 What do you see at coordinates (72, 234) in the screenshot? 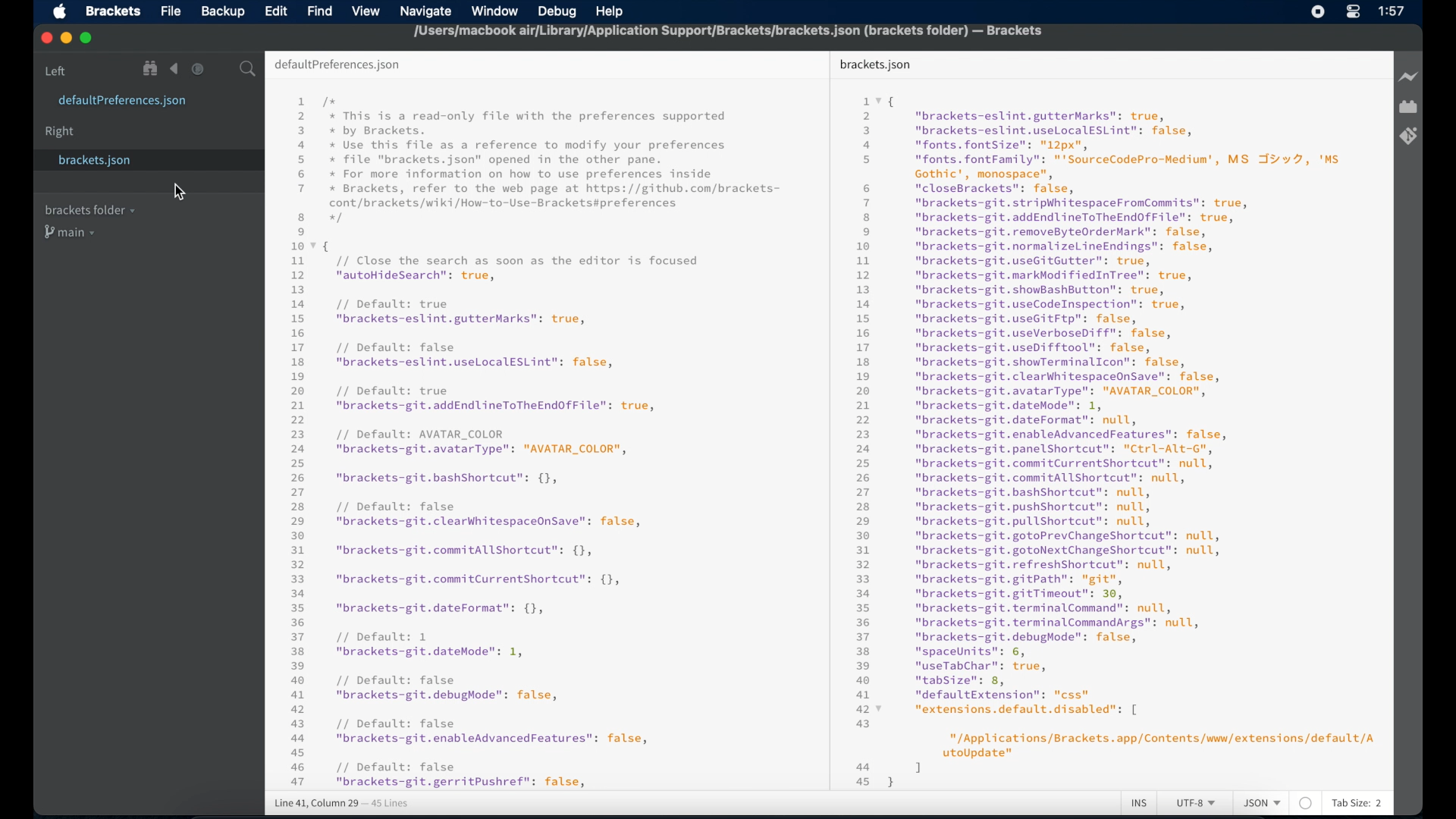
I see `main` at bounding box center [72, 234].